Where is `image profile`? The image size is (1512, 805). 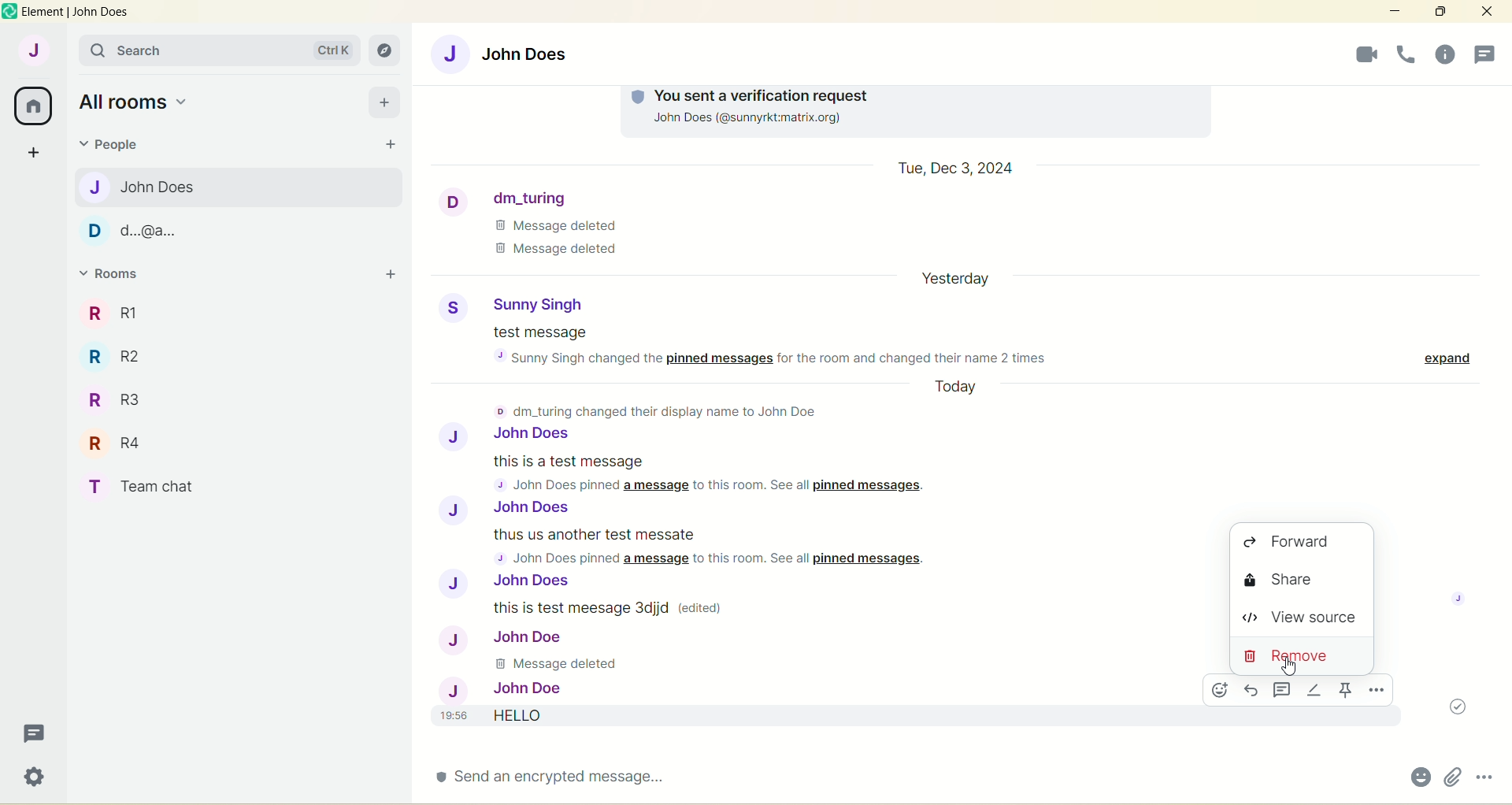 image profile is located at coordinates (1461, 595).